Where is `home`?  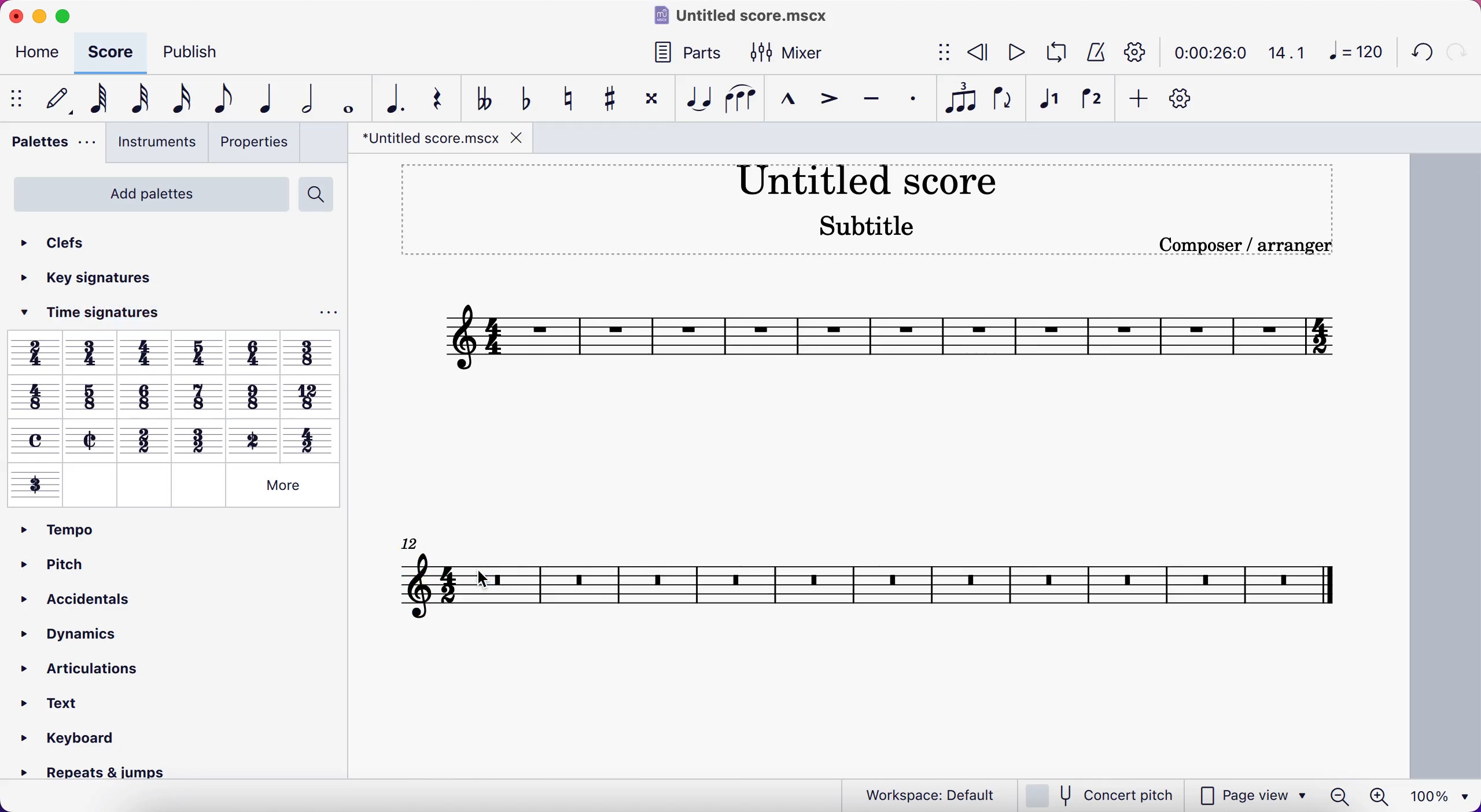
home is located at coordinates (32, 55).